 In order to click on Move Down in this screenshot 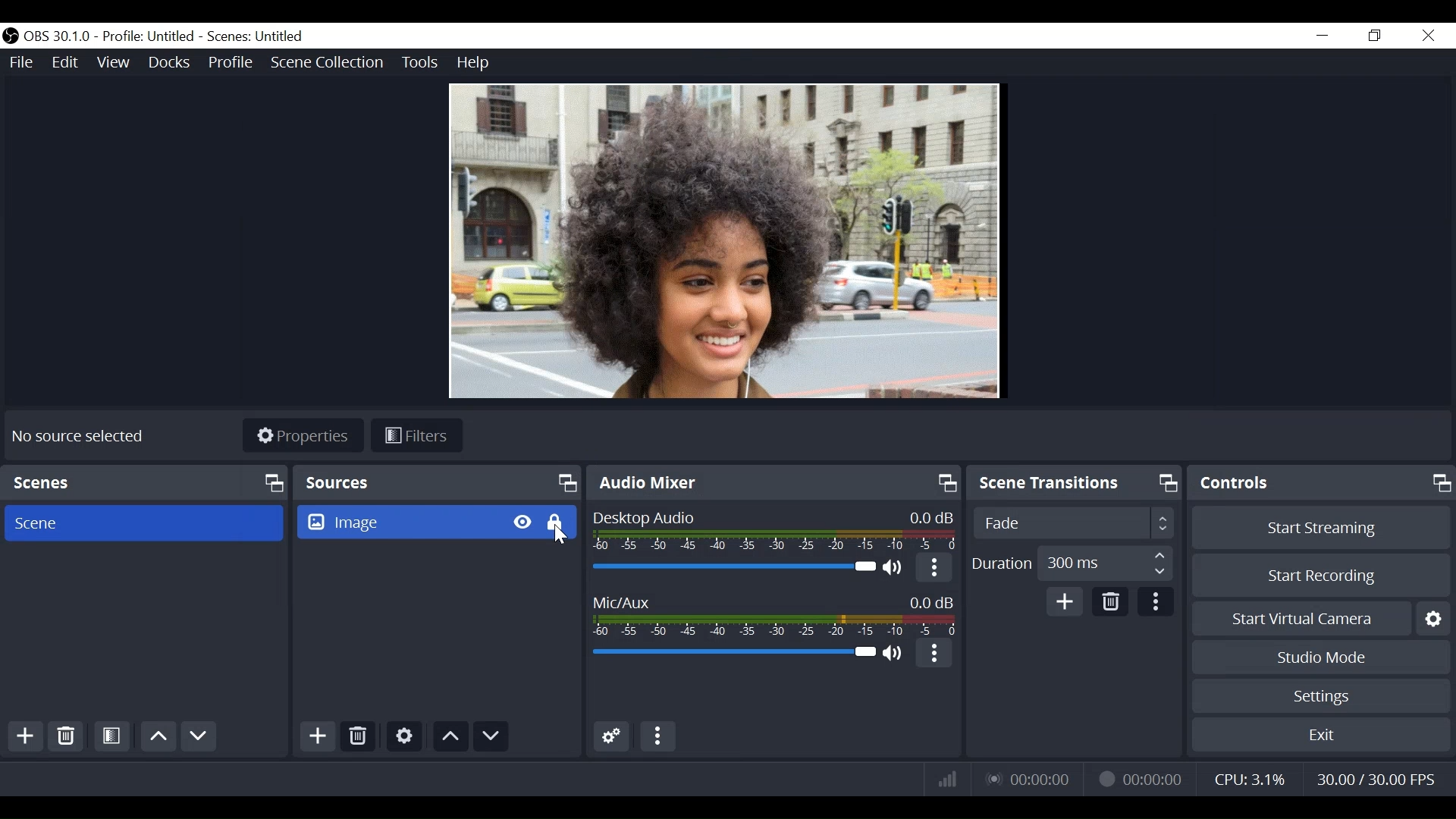, I will do `click(491, 738)`.